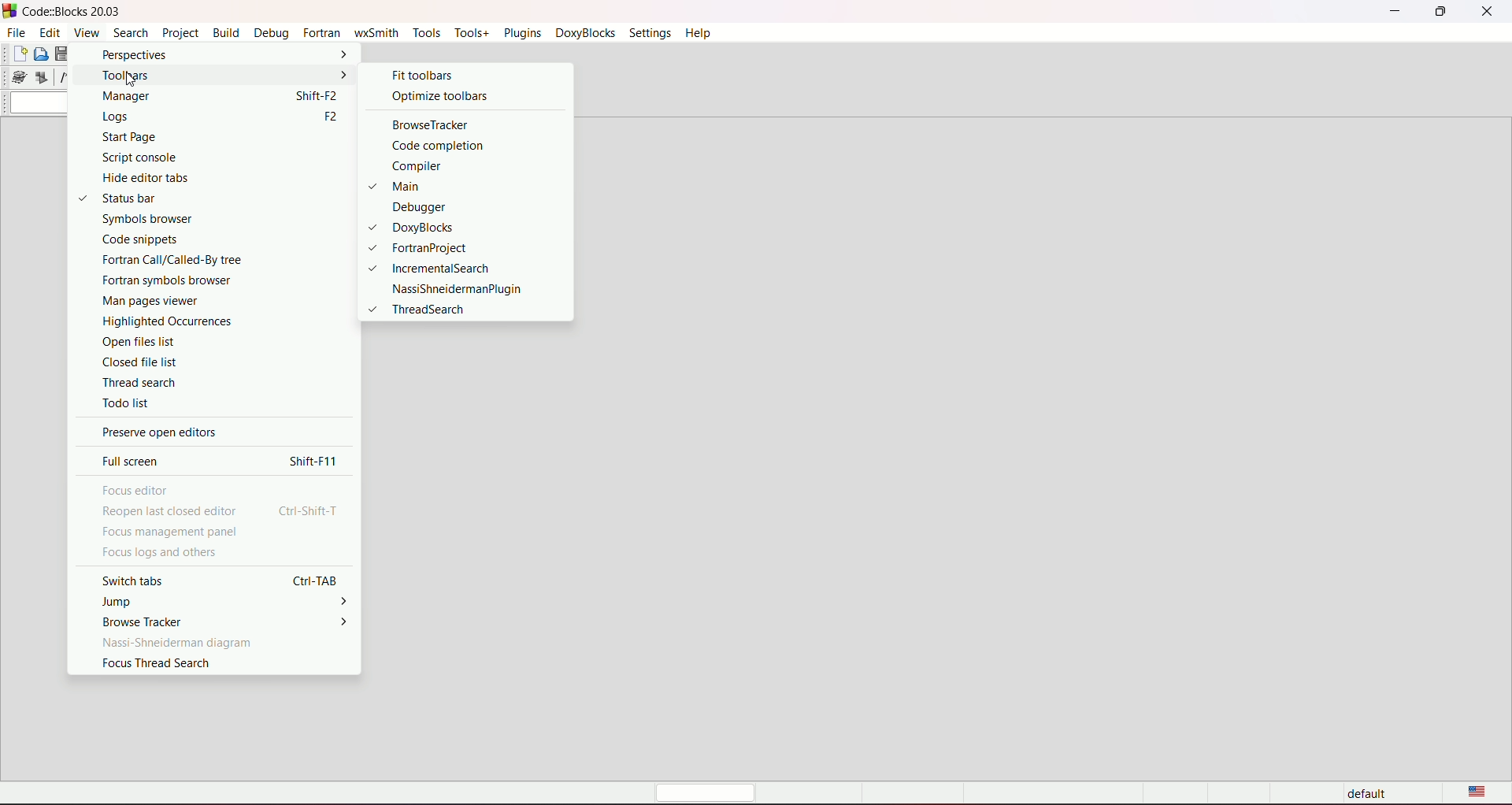 The image size is (1512, 805). What do you see at coordinates (158, 553) in the screenshot?
I see `focus logs and others` at bounding box center [158, 553].